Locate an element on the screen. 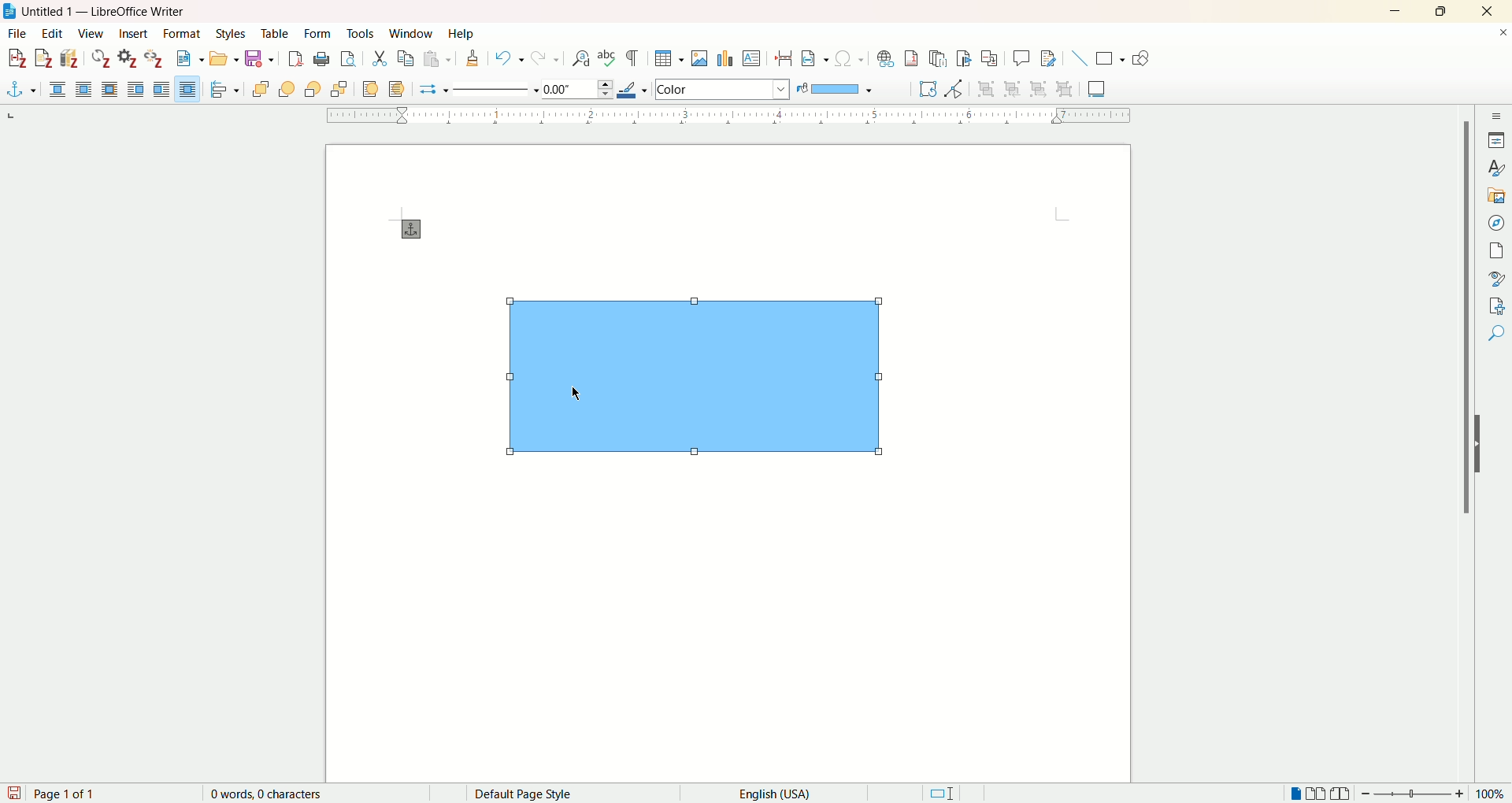 The image size is (1512, 803). Untitled 1 - LibreOffice Writer is located at coordinates (118, 10).